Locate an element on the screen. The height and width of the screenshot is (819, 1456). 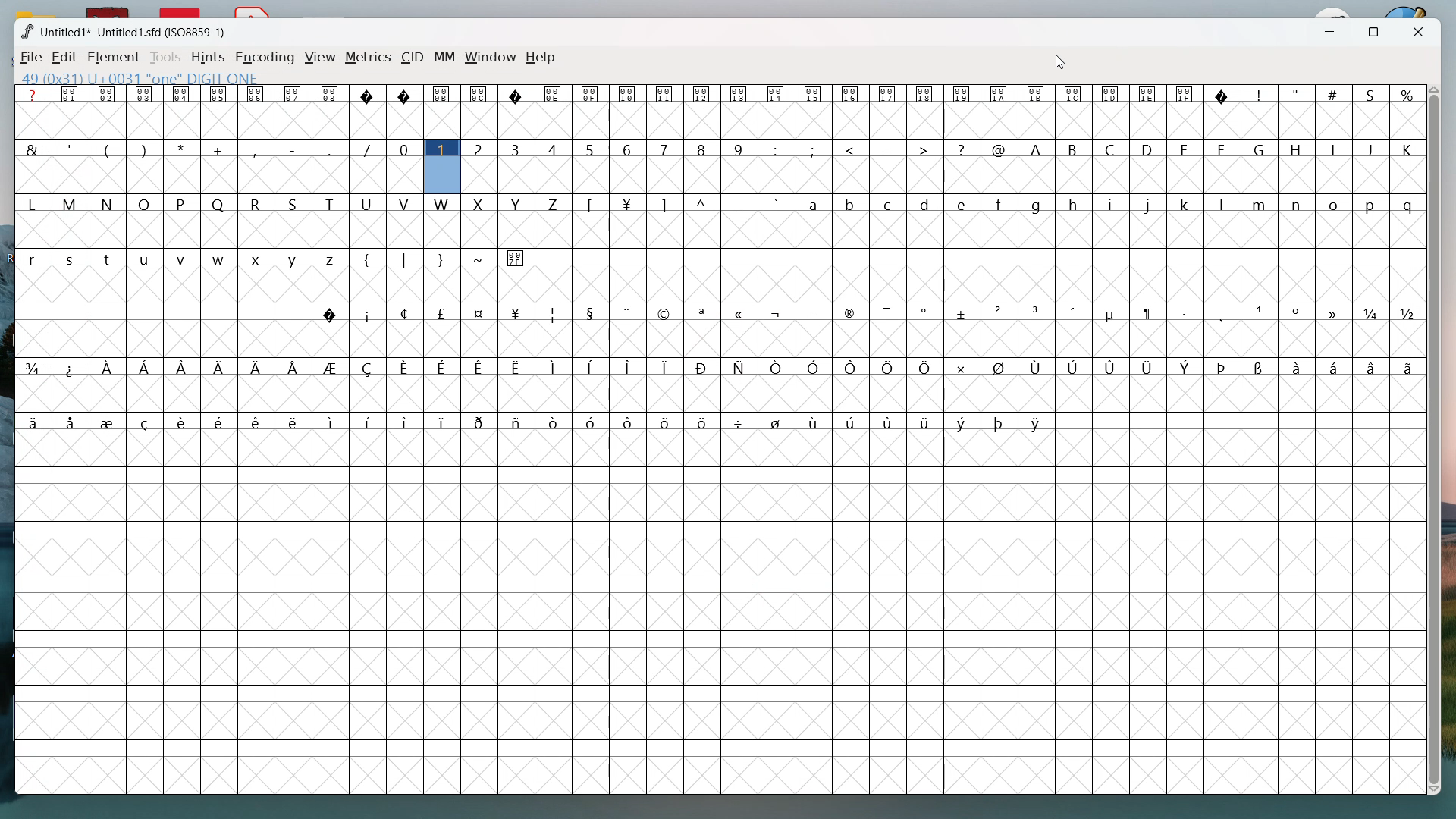
symbol is located at coordinates (1260, 367).